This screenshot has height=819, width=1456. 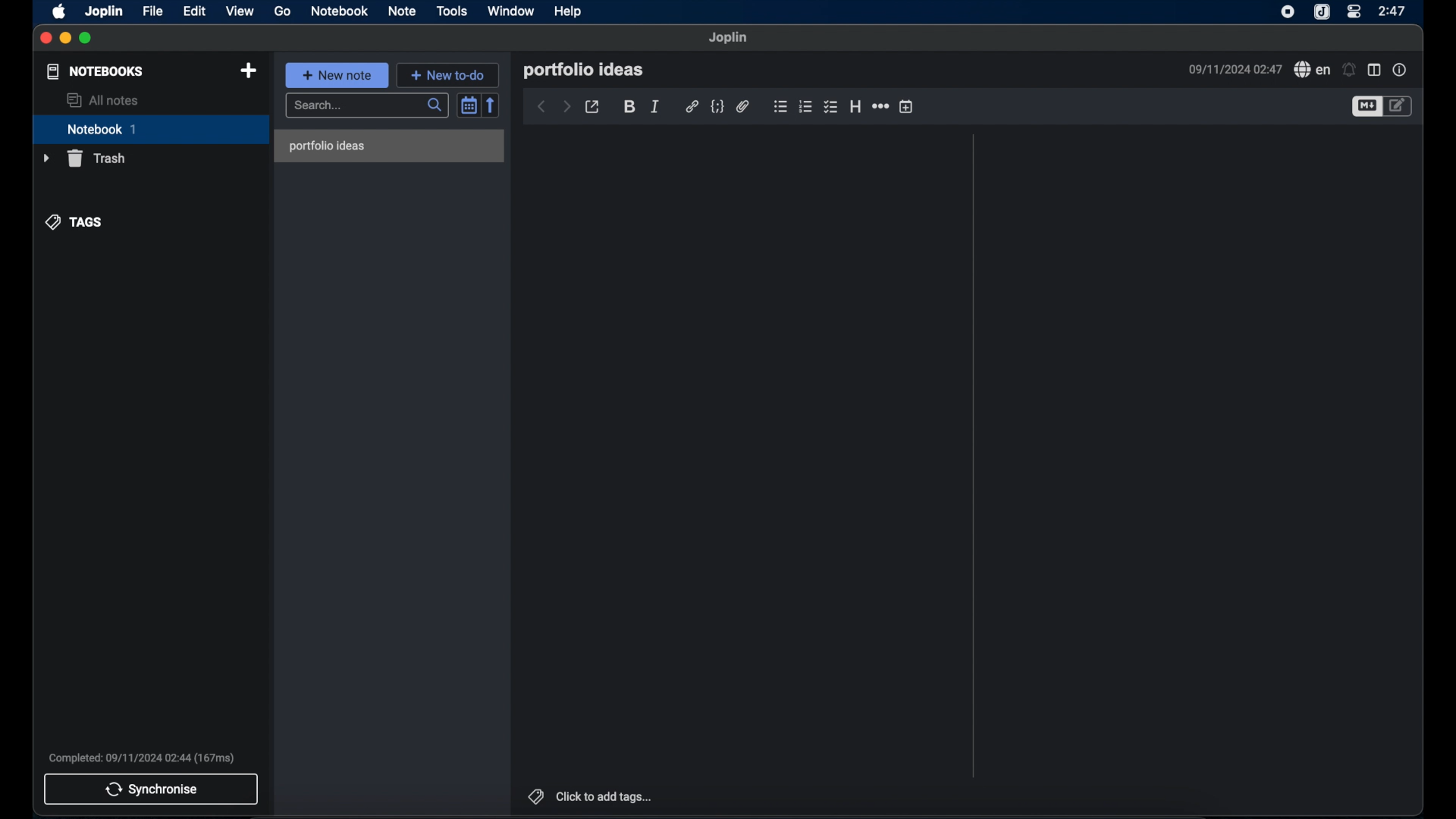 What do you see at coordinates (451, 11) in the screenshot?
I see `tools` at bounding box center [451, 11].